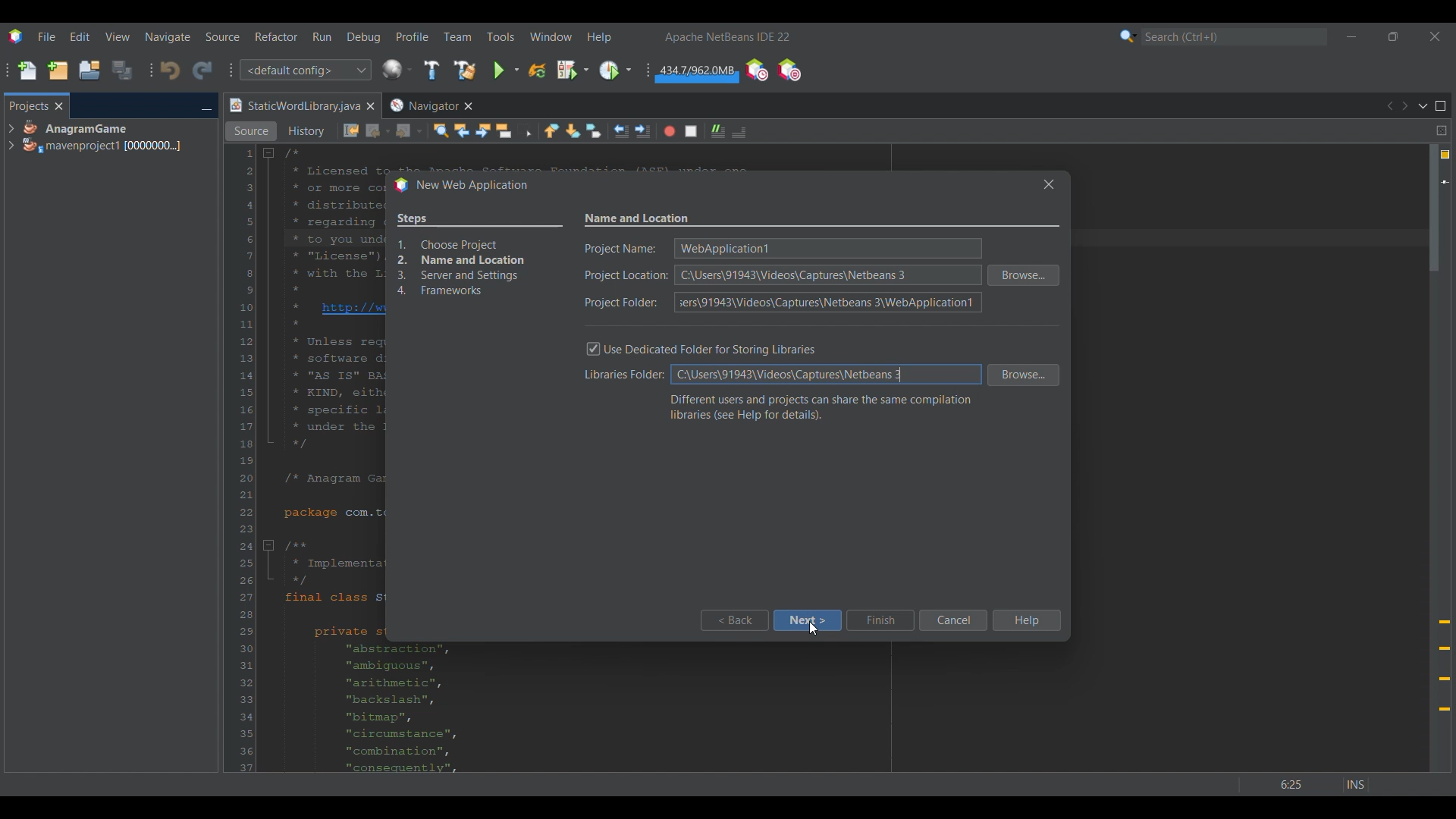  What do you see at coordinates (276, 36) in the screenshot?
I see `Refactor menu` at bounding box center [276, 36].